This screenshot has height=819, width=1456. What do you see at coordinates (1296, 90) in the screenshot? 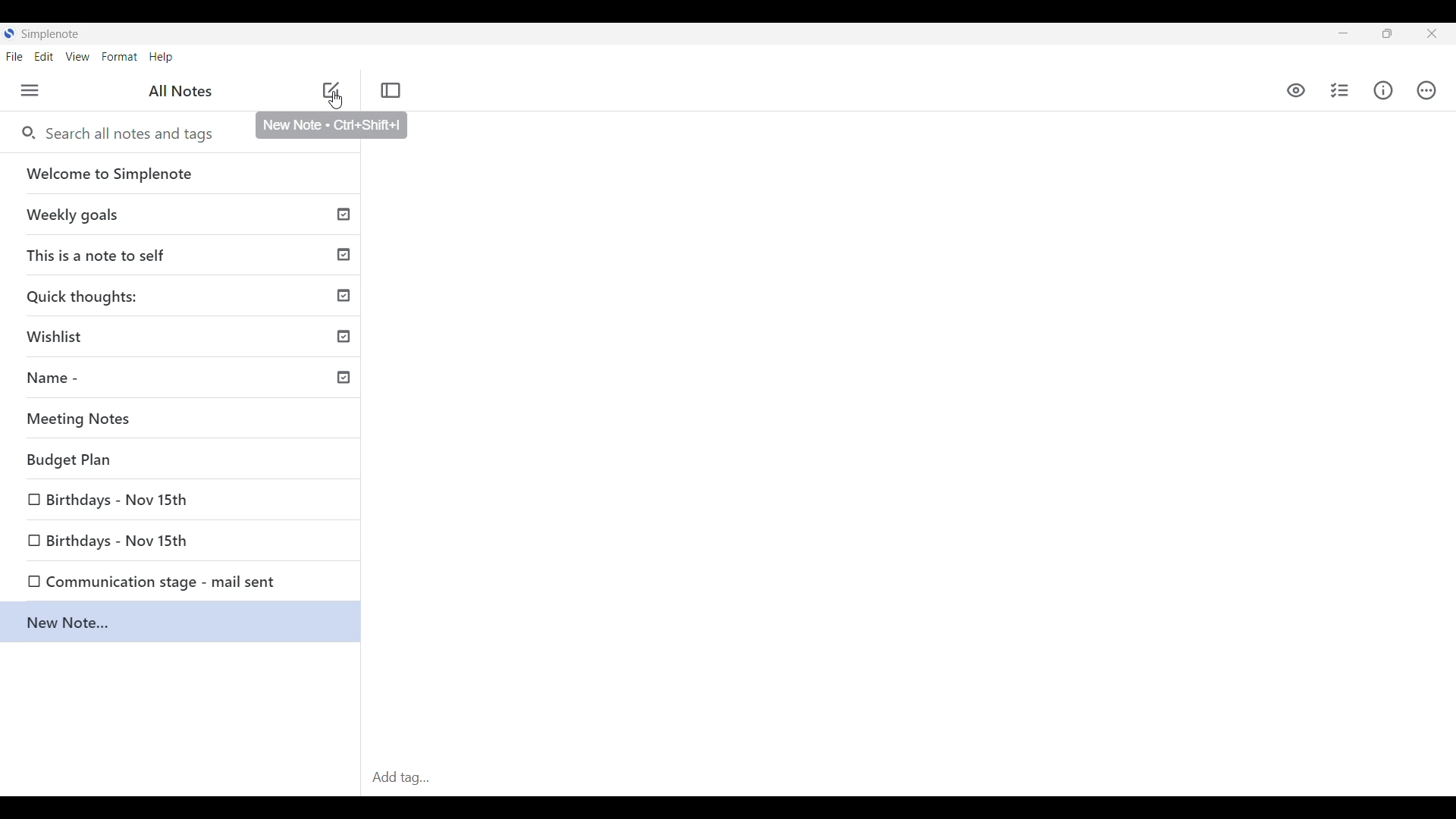
I see `Markdown preview toggle` at bounding box center [1296, 90].